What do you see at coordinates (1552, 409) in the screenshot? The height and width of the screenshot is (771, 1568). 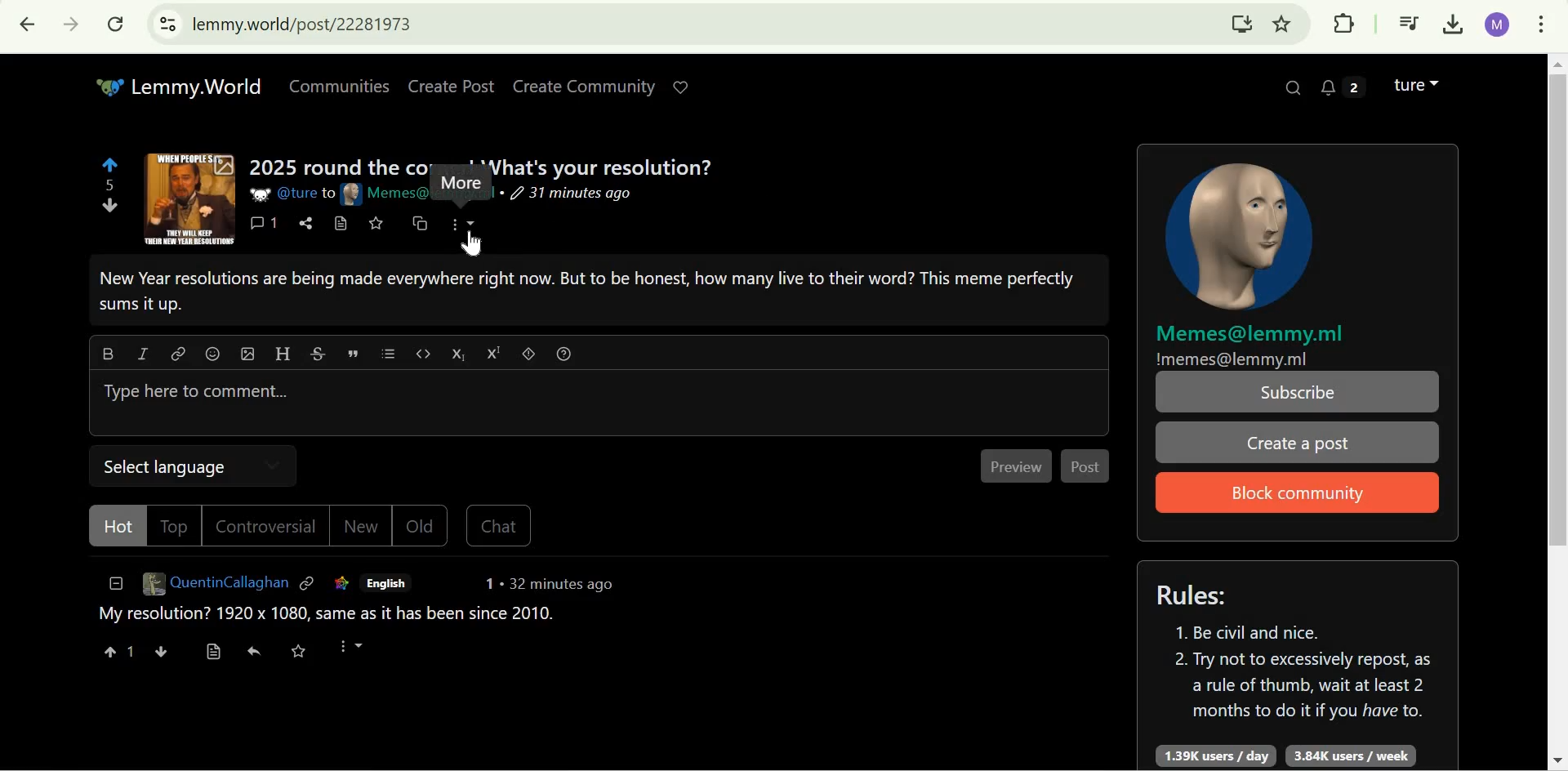 I see `Scrollbar` at bounding box center [1552, 409].